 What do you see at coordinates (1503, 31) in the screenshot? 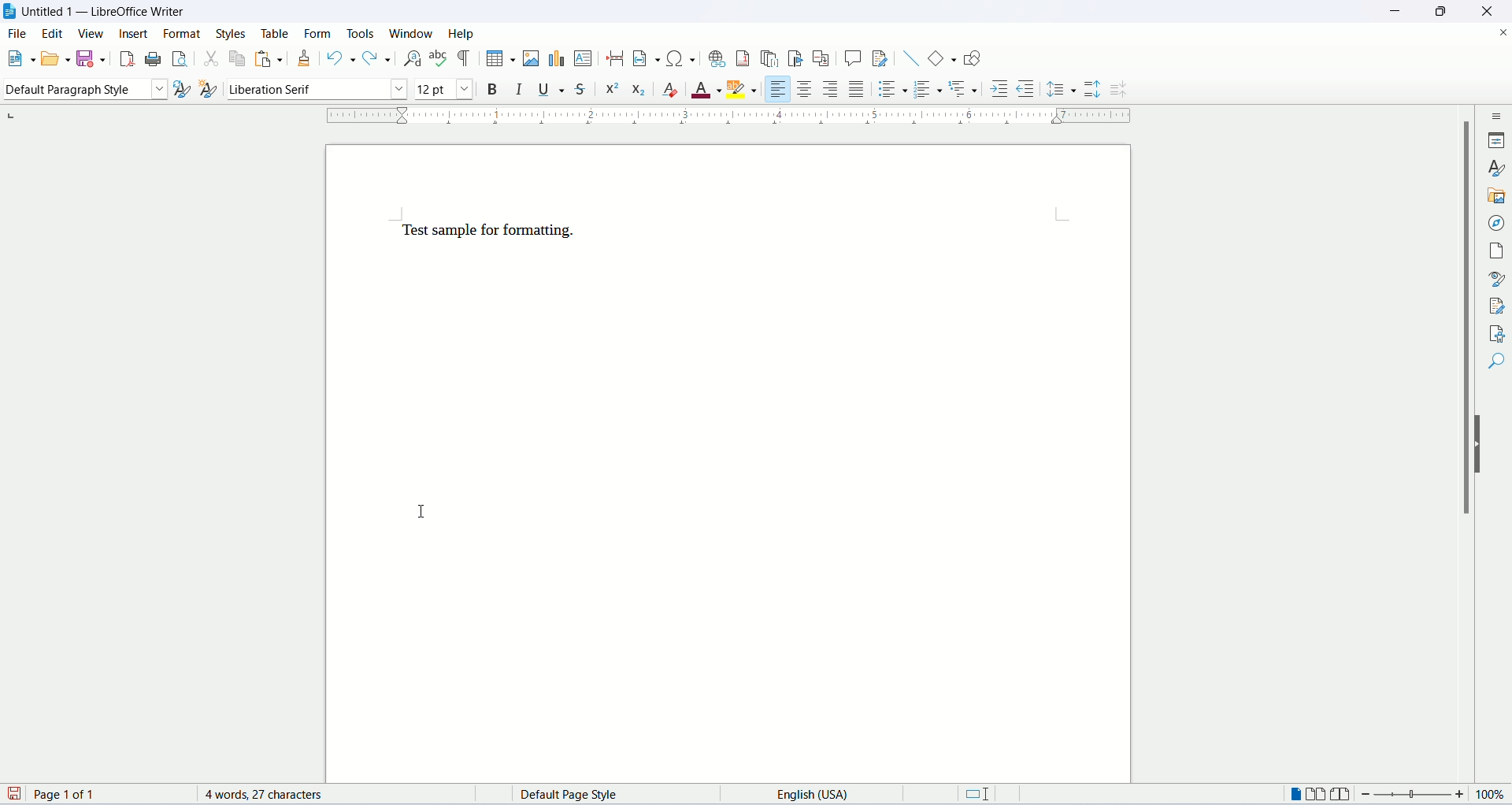
I see `close` at bounding box center [1503, 31].